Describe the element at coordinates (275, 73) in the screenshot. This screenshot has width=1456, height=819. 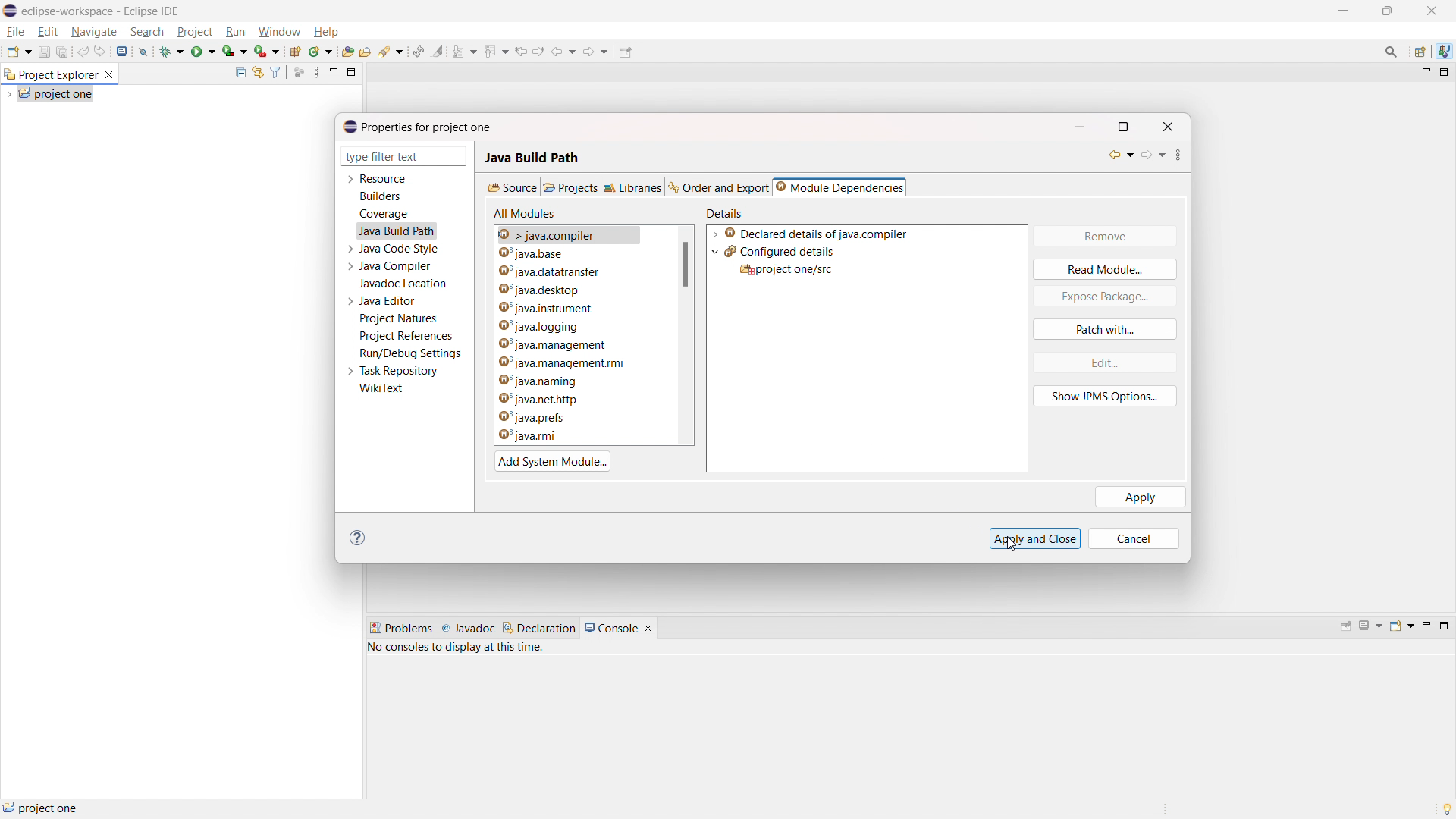
I see `select and deselect filters` at that location.